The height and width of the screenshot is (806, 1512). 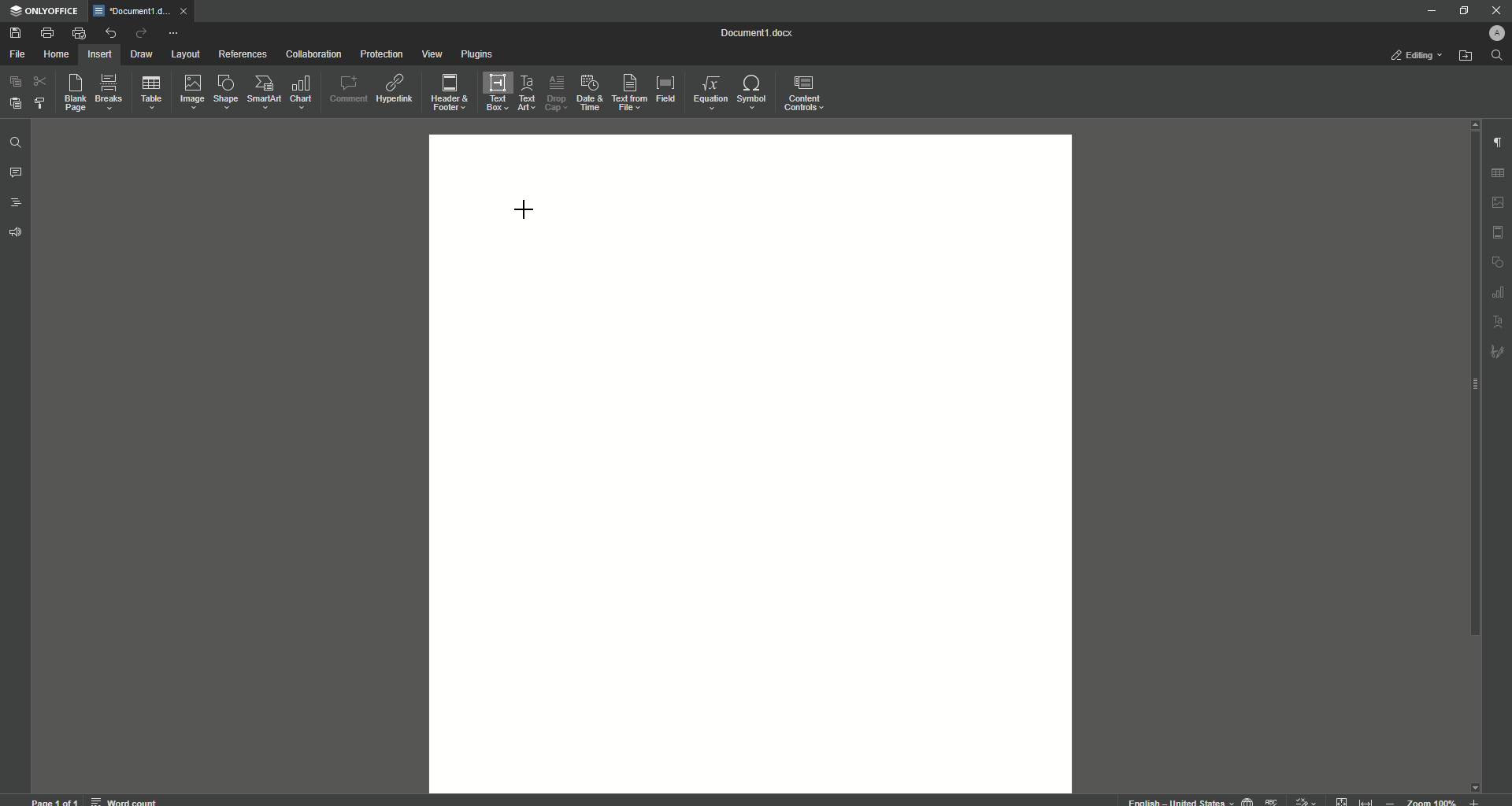 I want to click on Search, so click(x=1497, y=56).